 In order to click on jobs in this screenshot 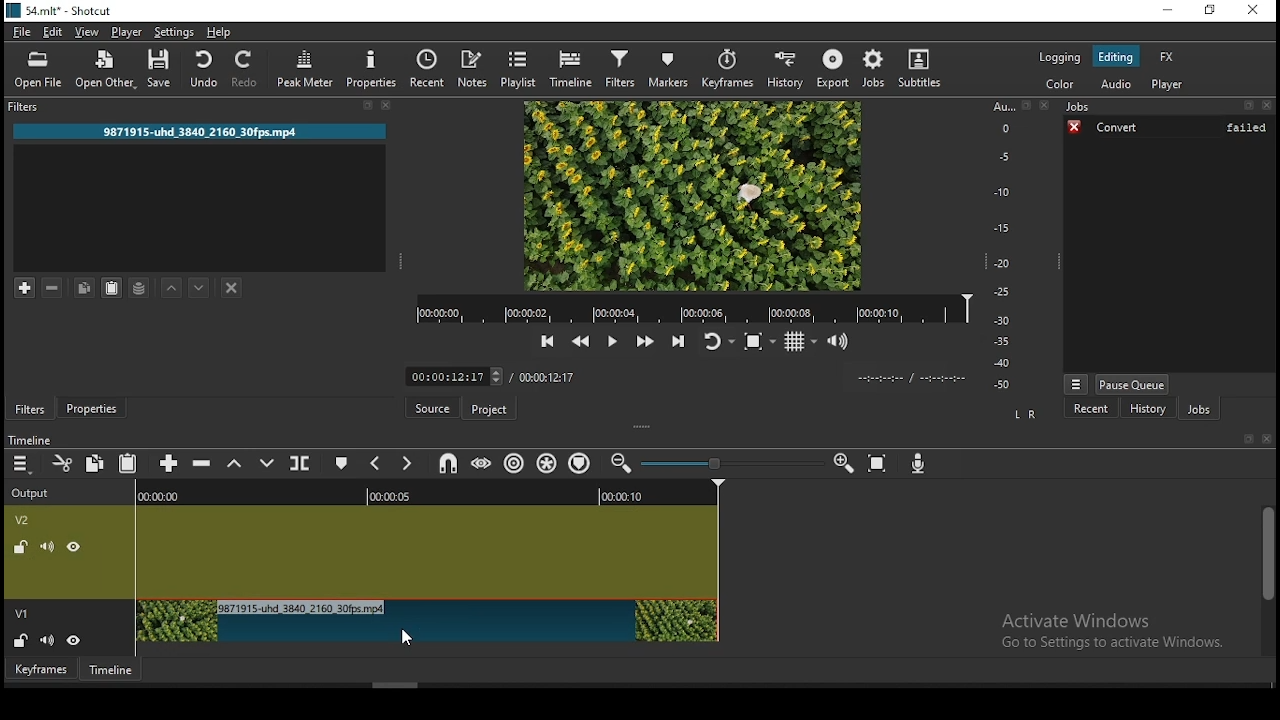, I will do `click(1201, 409)`.